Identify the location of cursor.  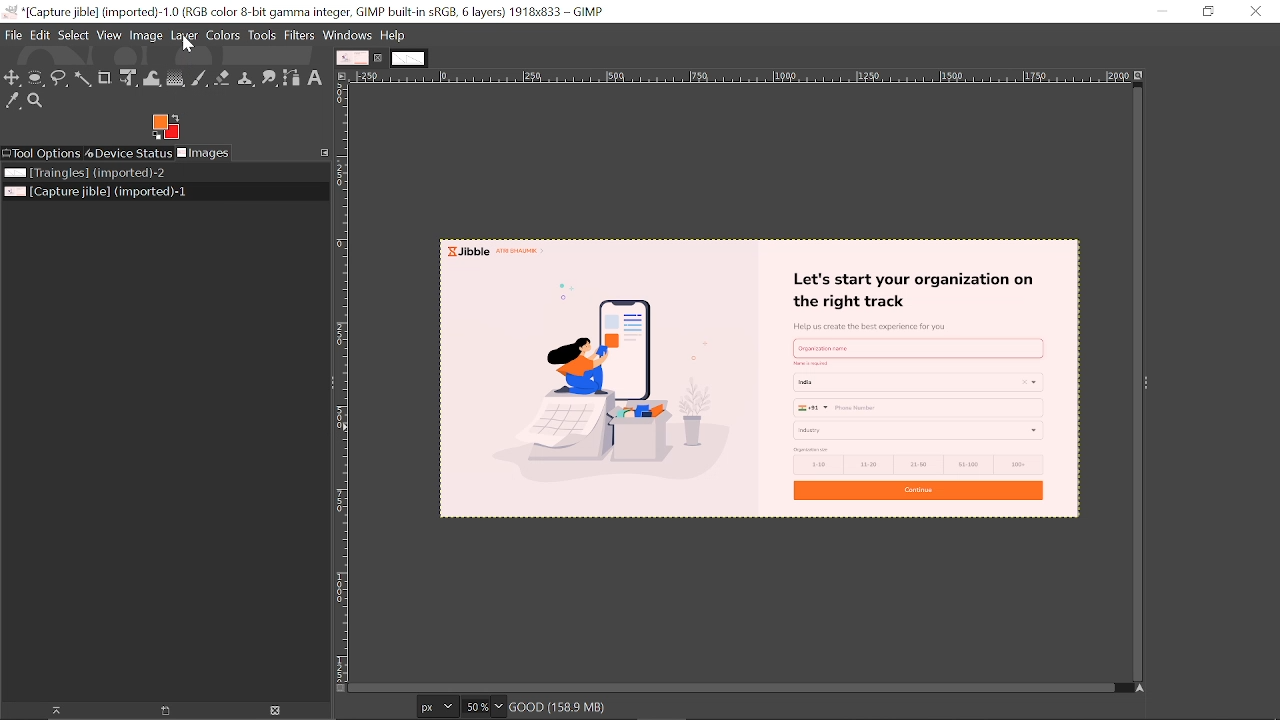
(188, 47).